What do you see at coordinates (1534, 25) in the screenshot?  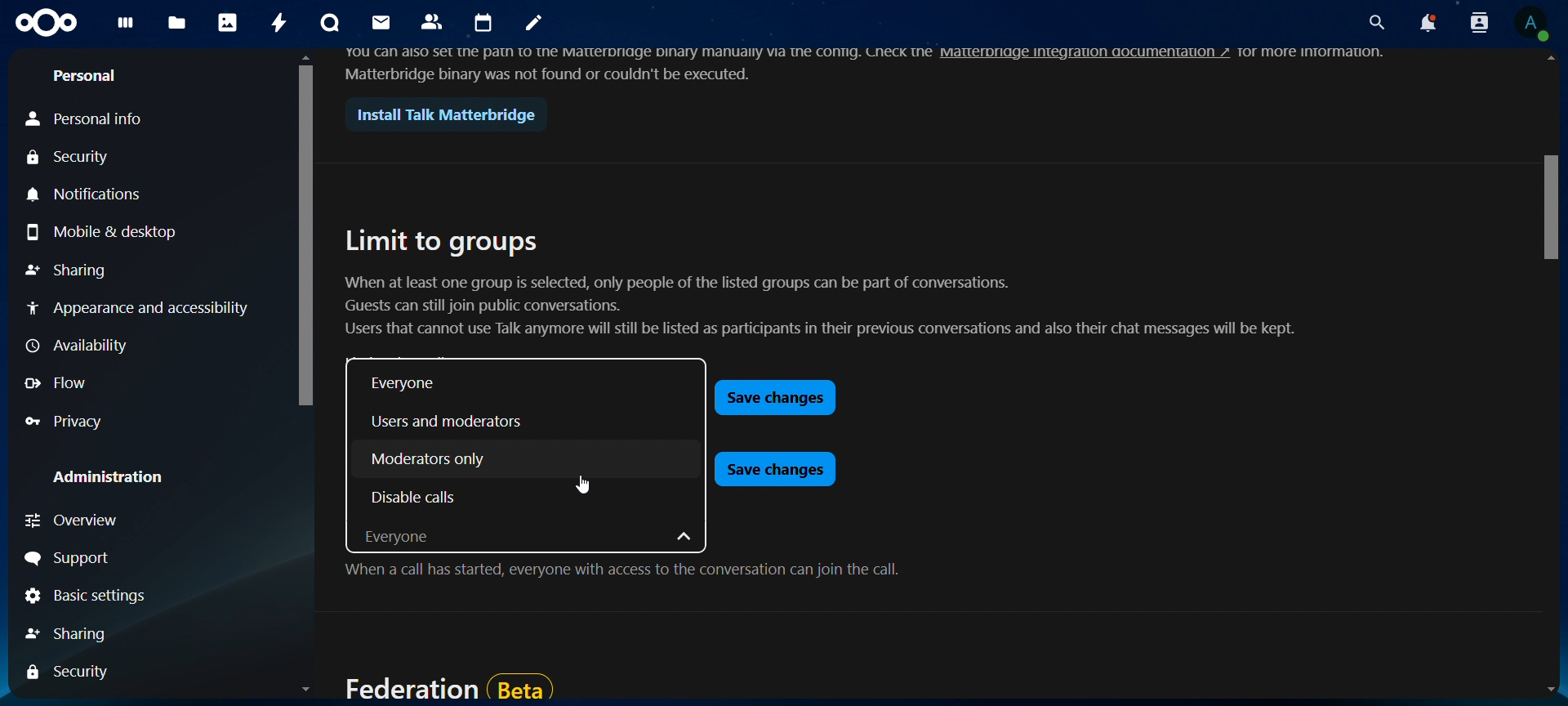 I see `view profile` at bounding box center [1534, 25].